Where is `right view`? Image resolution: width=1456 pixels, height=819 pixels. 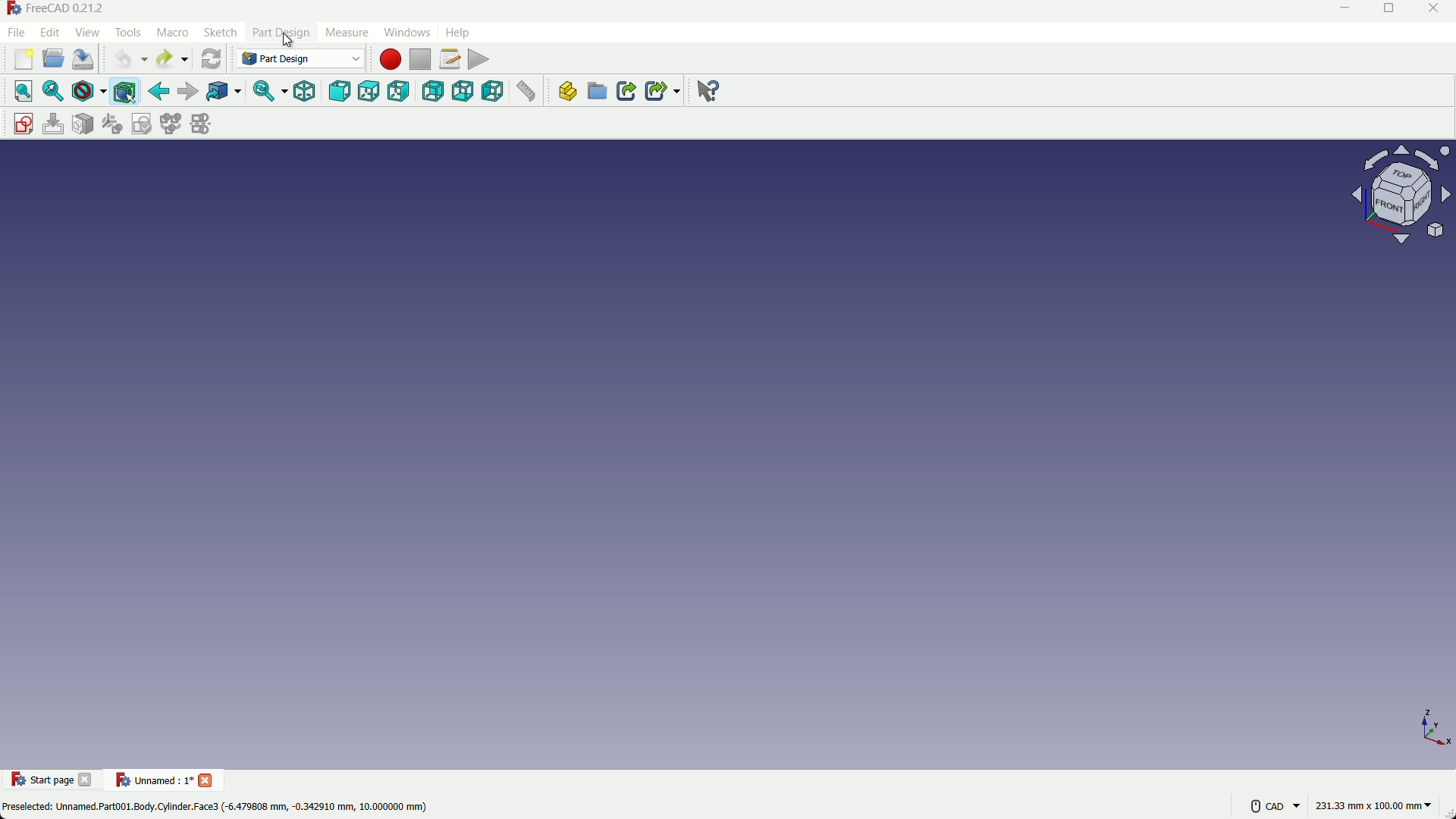
right view is located at coordinates (400, 91).